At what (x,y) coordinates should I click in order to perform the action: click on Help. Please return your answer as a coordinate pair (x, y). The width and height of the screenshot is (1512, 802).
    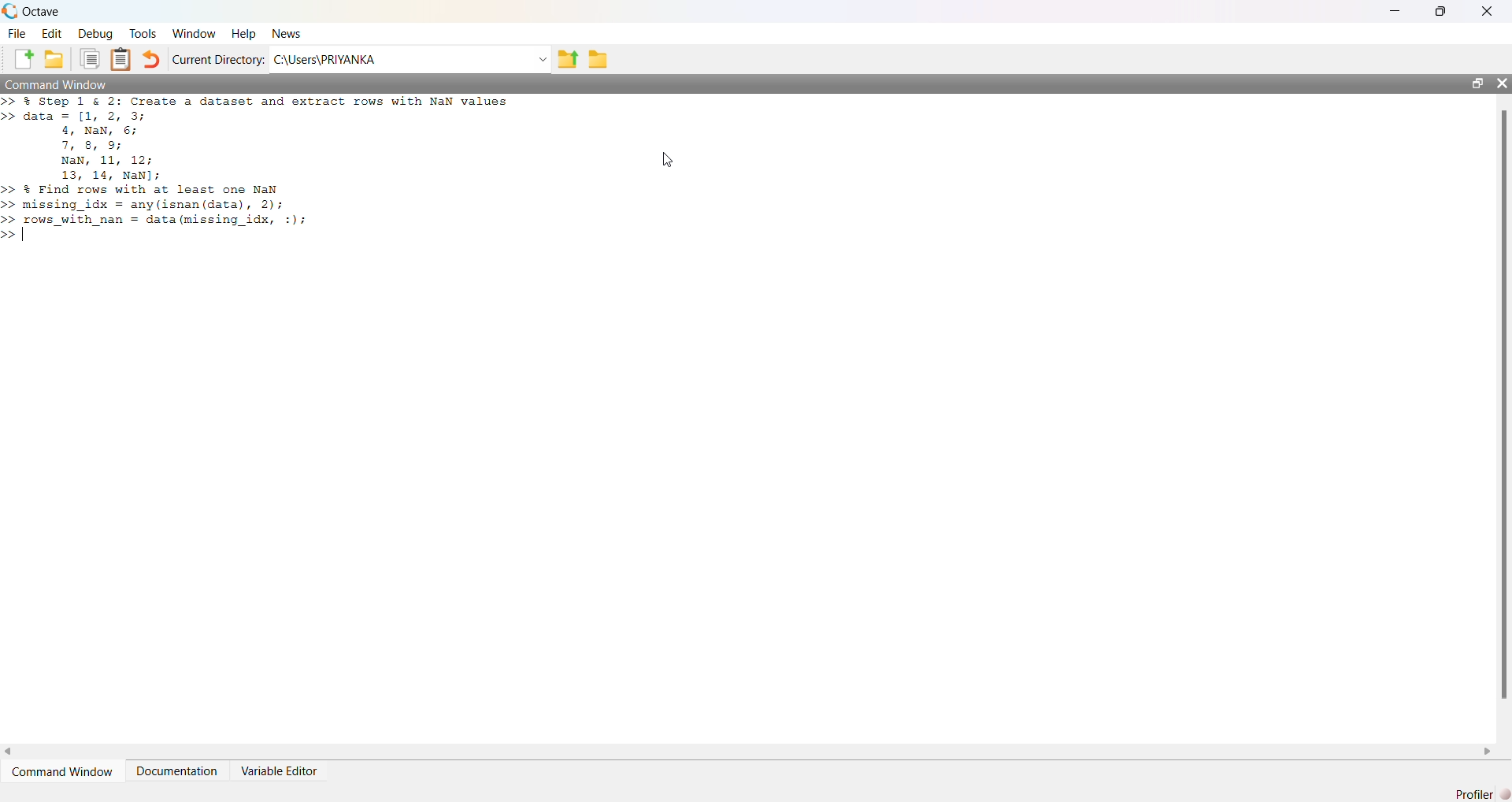
    Looking at the image, I should click on (243, 35).